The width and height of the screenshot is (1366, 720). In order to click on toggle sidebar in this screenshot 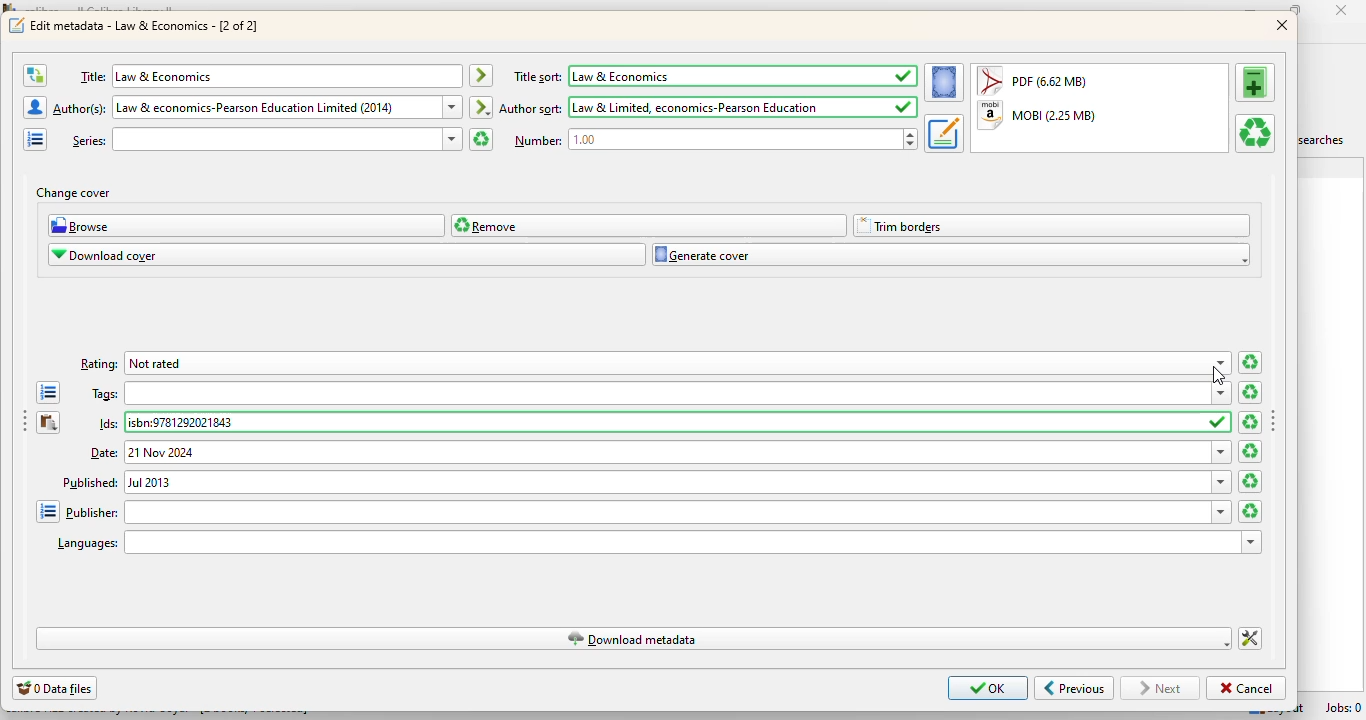, I will do `click(24, 423)`.